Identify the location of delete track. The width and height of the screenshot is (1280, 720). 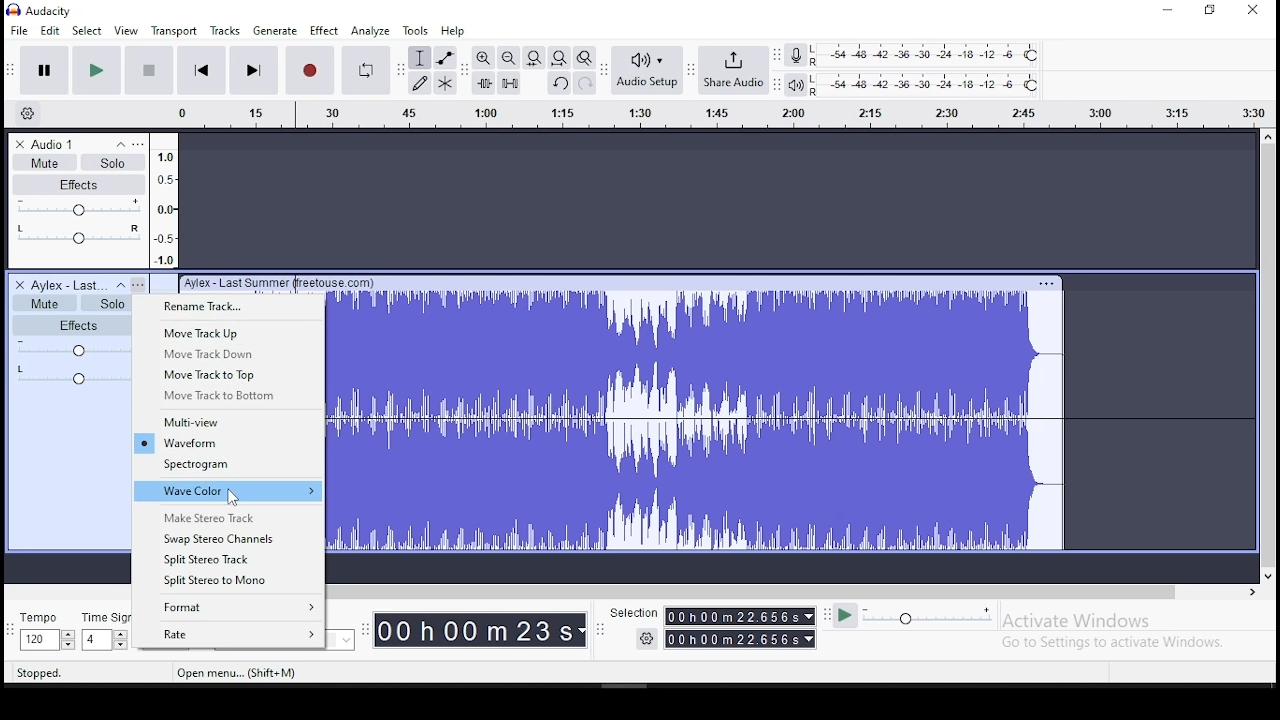
(18, 284).